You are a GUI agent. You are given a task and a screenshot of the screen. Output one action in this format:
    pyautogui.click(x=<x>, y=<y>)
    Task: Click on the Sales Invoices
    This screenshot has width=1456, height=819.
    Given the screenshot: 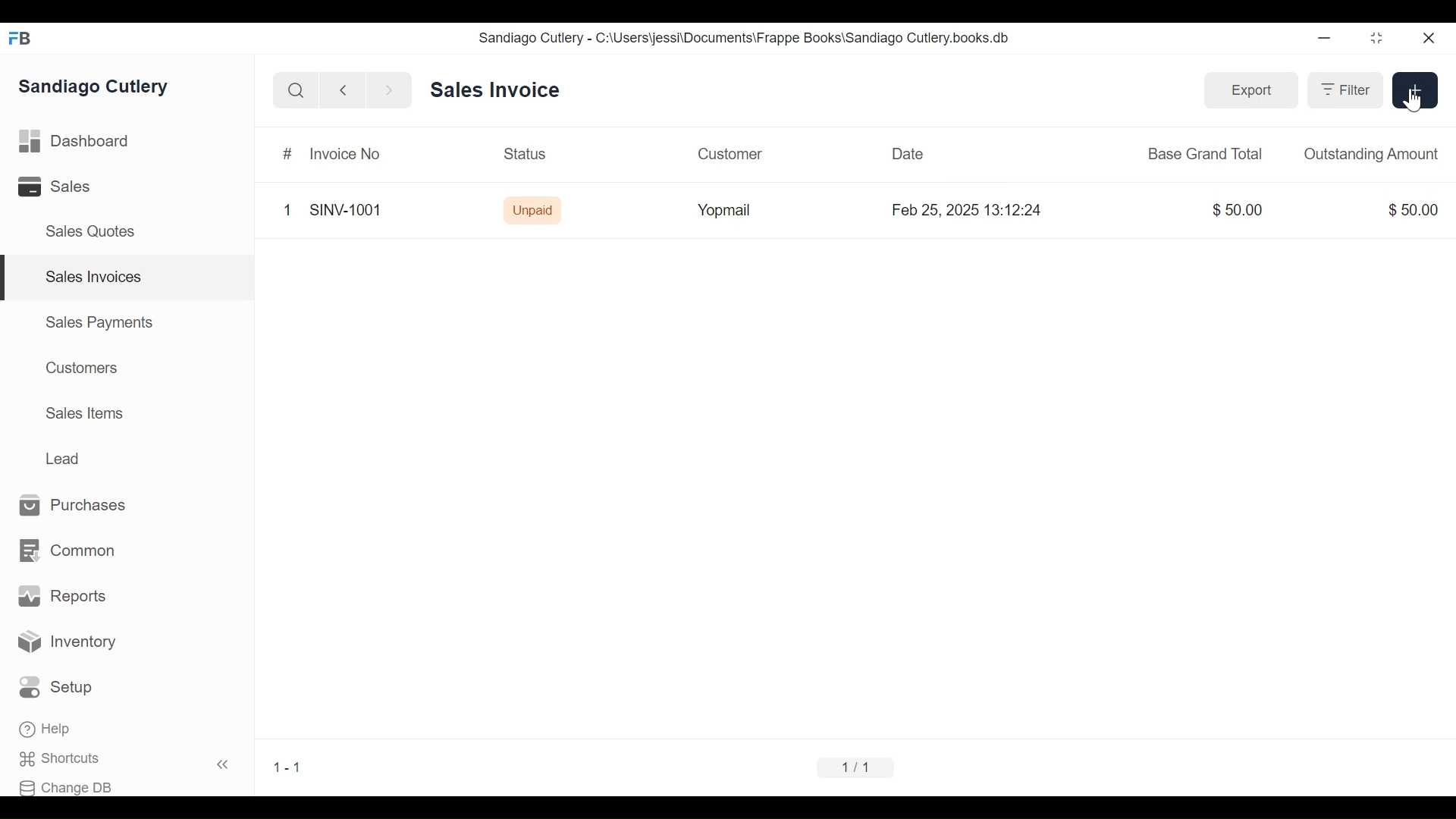 What is the action you would take?
    pyautogui.click(x=94, y=278)
    